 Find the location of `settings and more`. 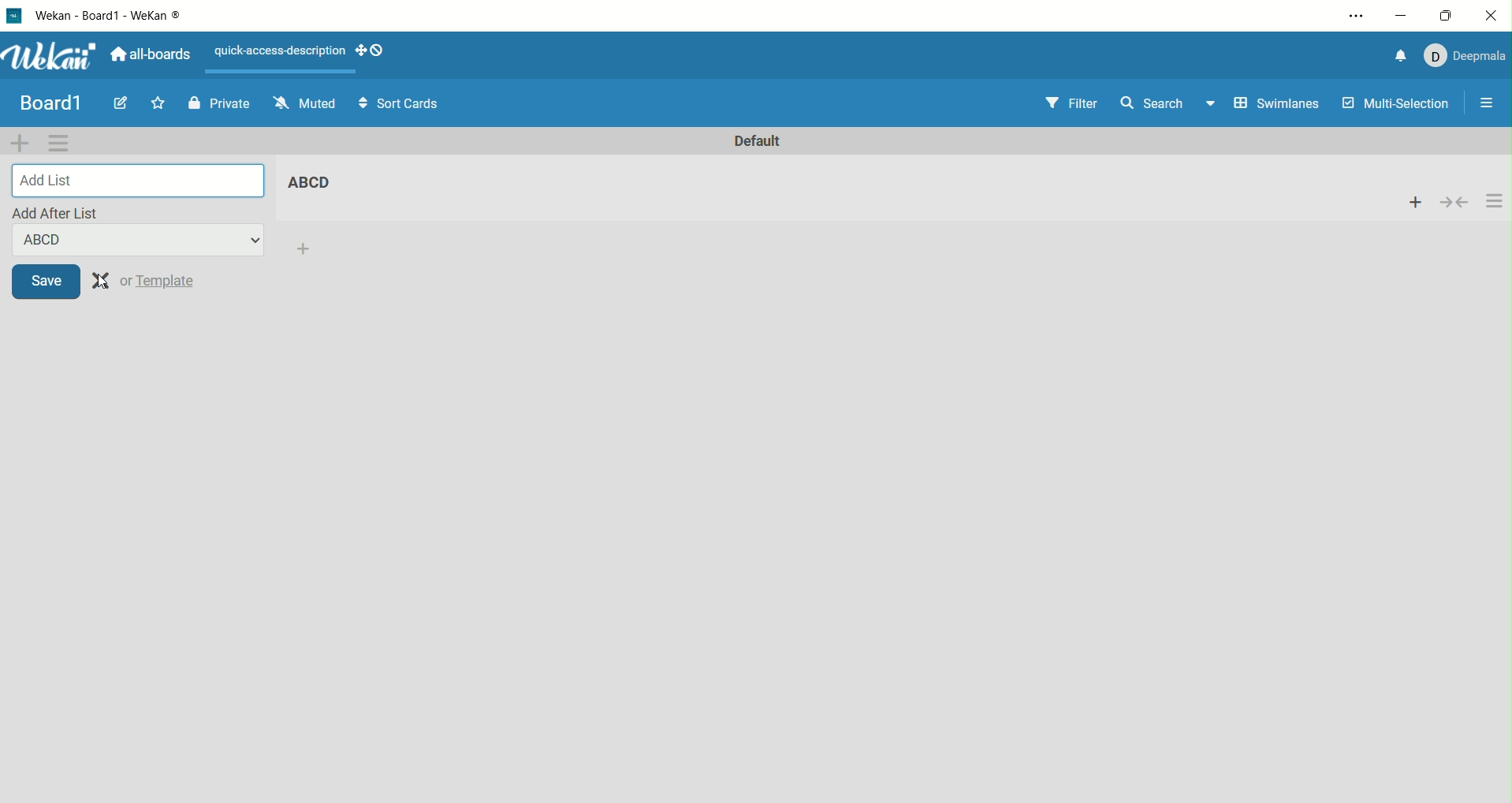

settings and more is located at coordinates (1356, 16).